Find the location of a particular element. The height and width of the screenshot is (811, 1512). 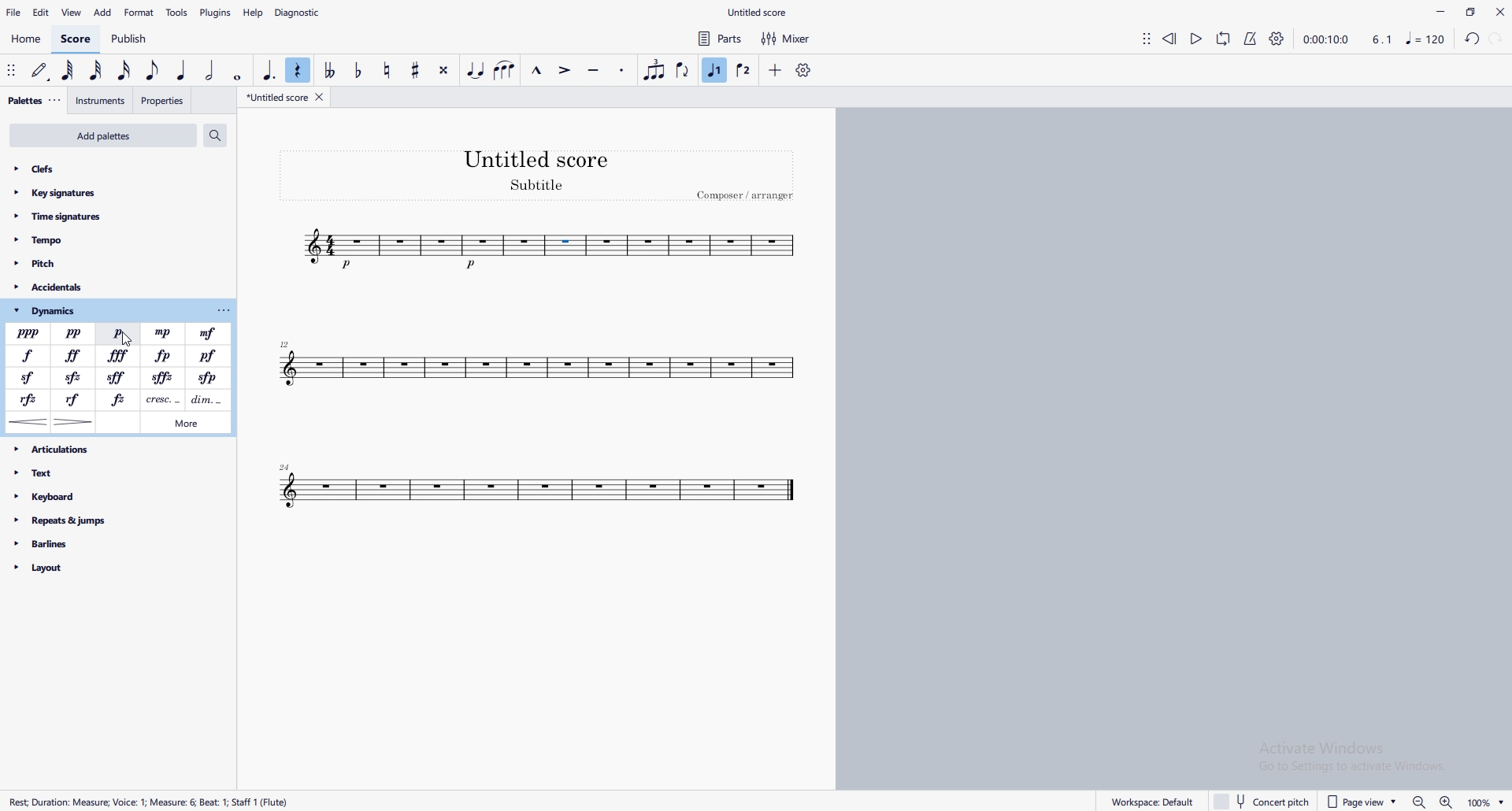

toggle natural is located at coordinates (387, 69).